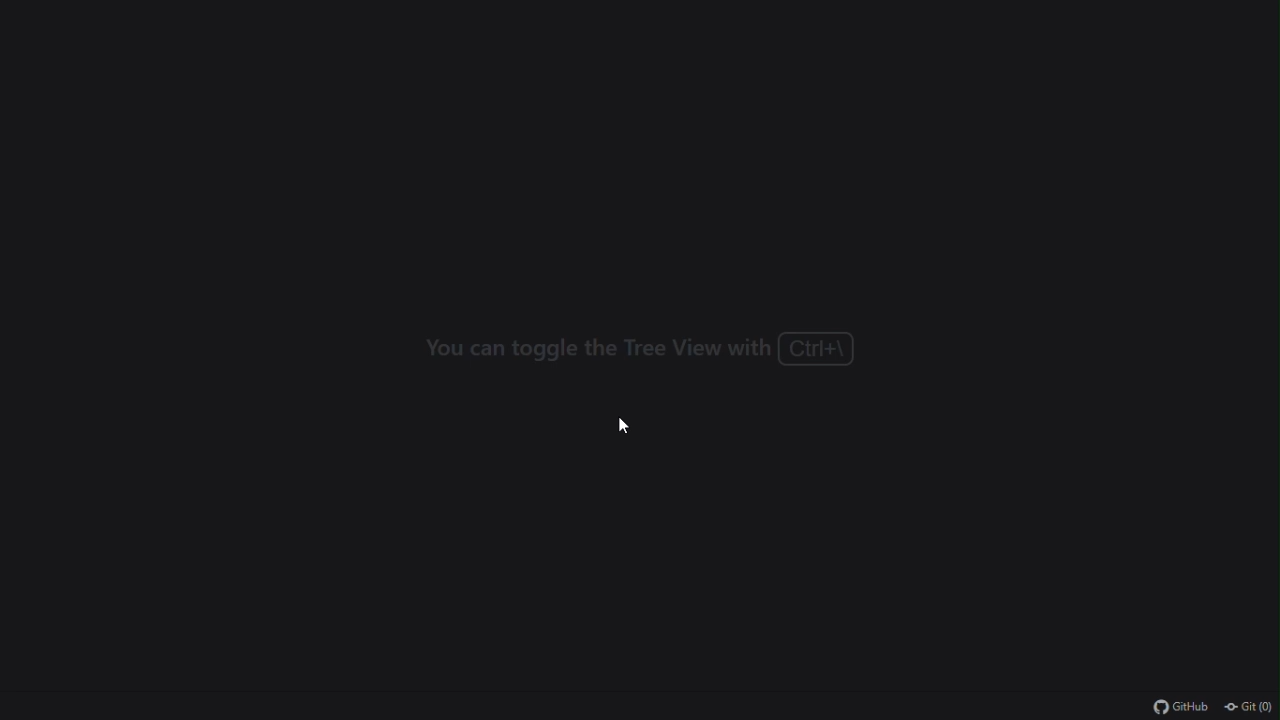 The image size is (1280, 720). Describe the element at coordinates (1250, 706) in the screenshot. I see `git` at that location.